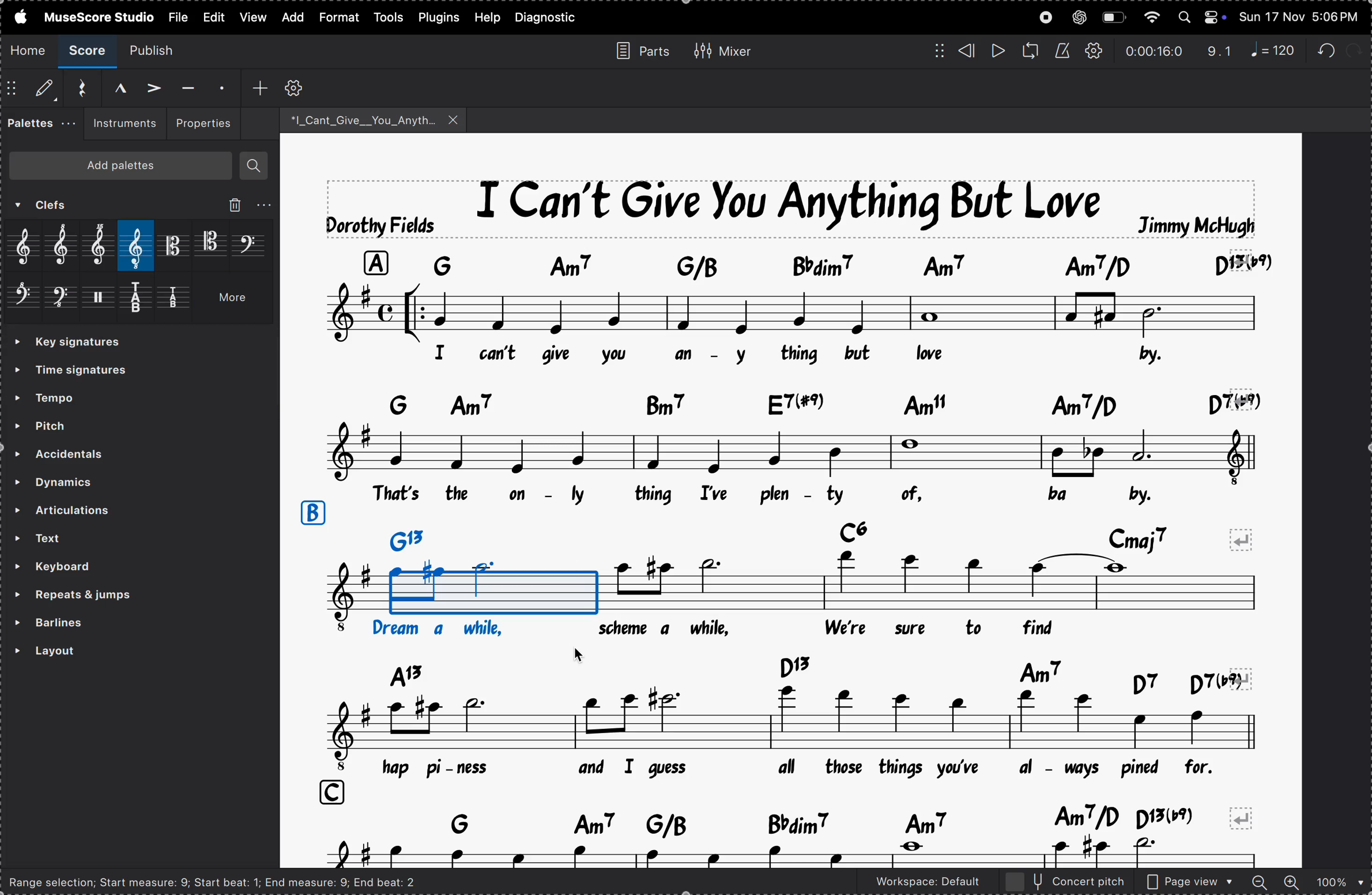 The height and width of the screenshot is (895, 1372). What do you see at coordinates (1066, 882) in the screenshot?
I see `concert pitch` at bounding box center [1066, 882].